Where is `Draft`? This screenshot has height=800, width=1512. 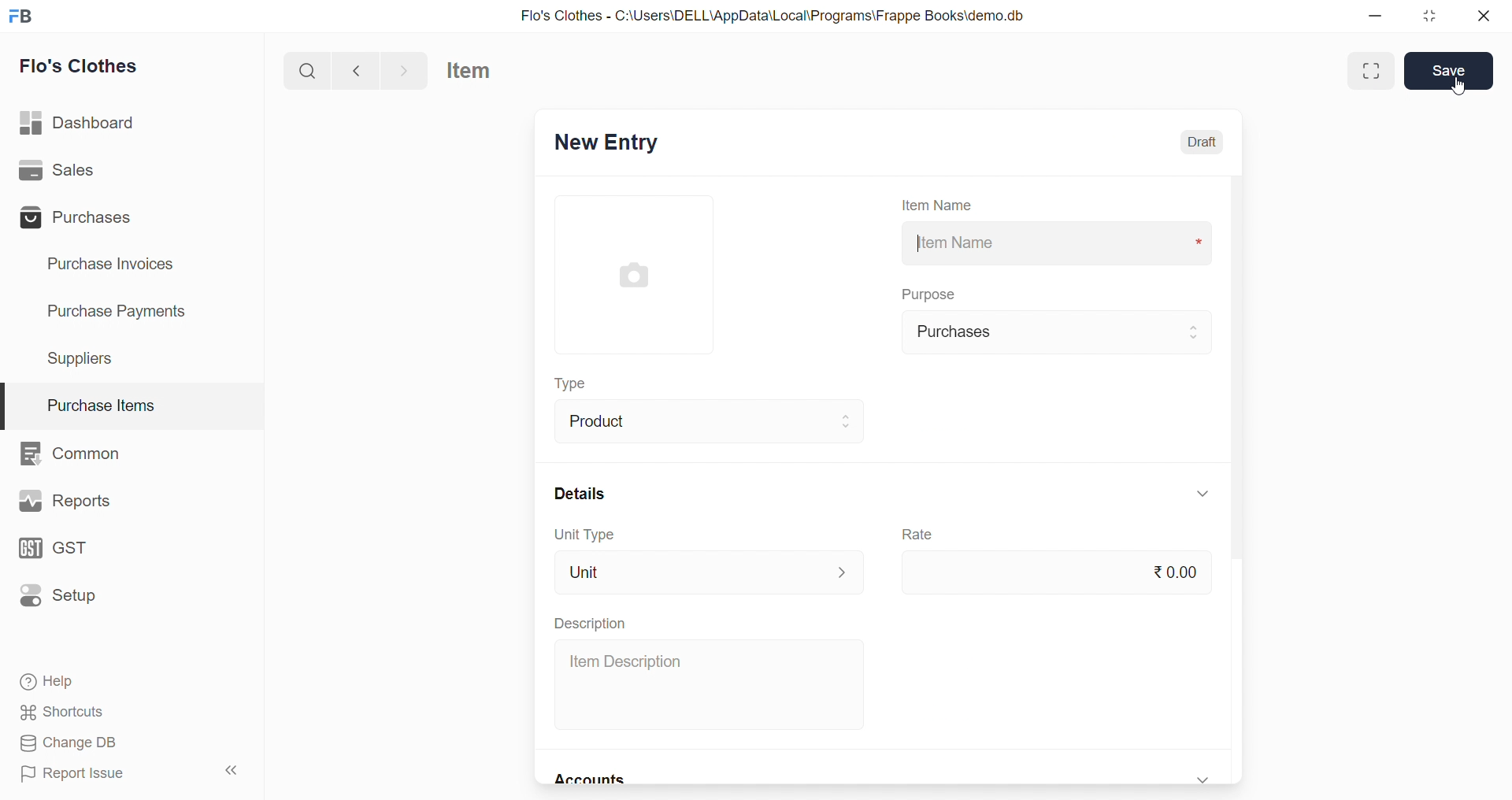 Draft is located at coordinates (1204, 142).